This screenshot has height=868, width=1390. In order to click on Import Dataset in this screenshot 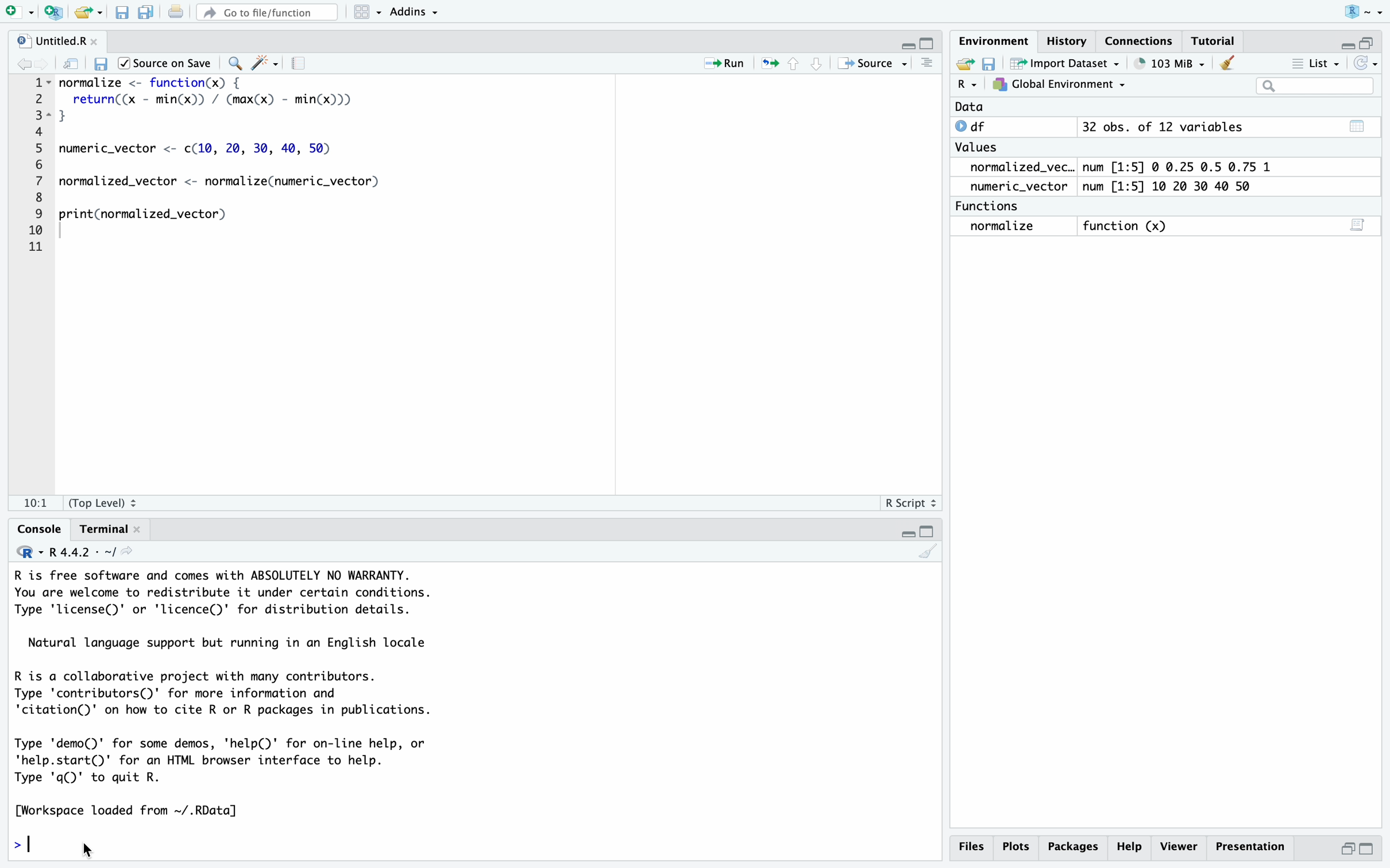, I will do `click(1064, 63)`.